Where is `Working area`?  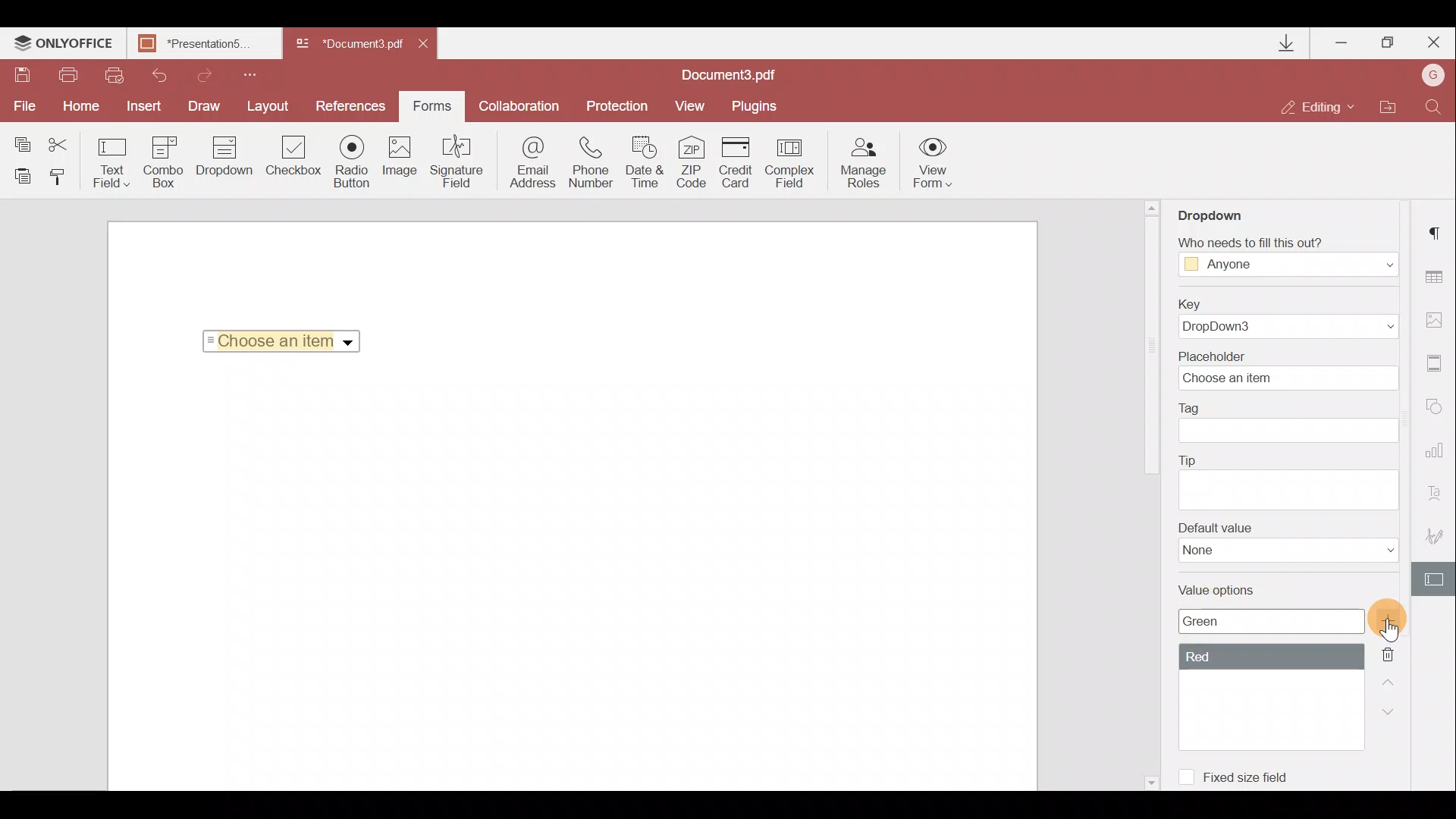 Working area is located at coordinates (570, 579).